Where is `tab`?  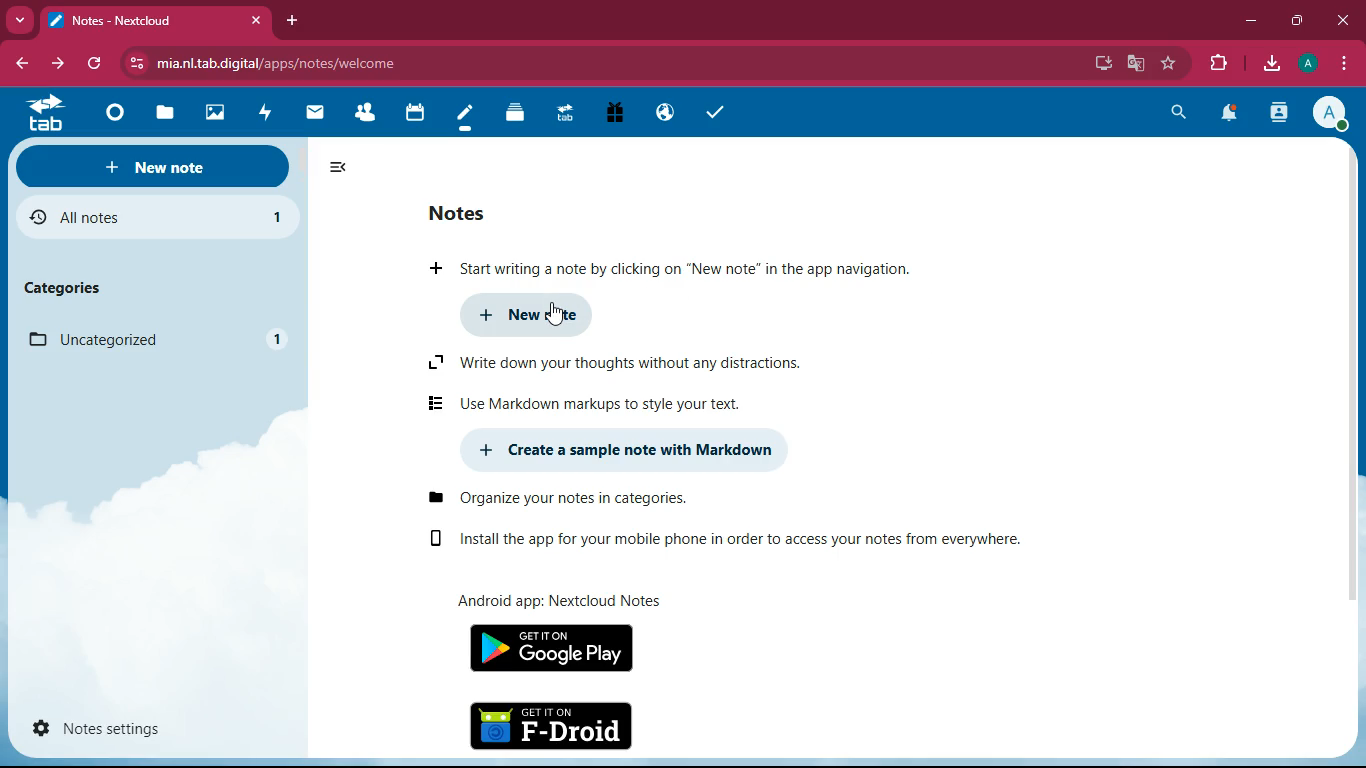
tab is located at coordinates (570, 114).